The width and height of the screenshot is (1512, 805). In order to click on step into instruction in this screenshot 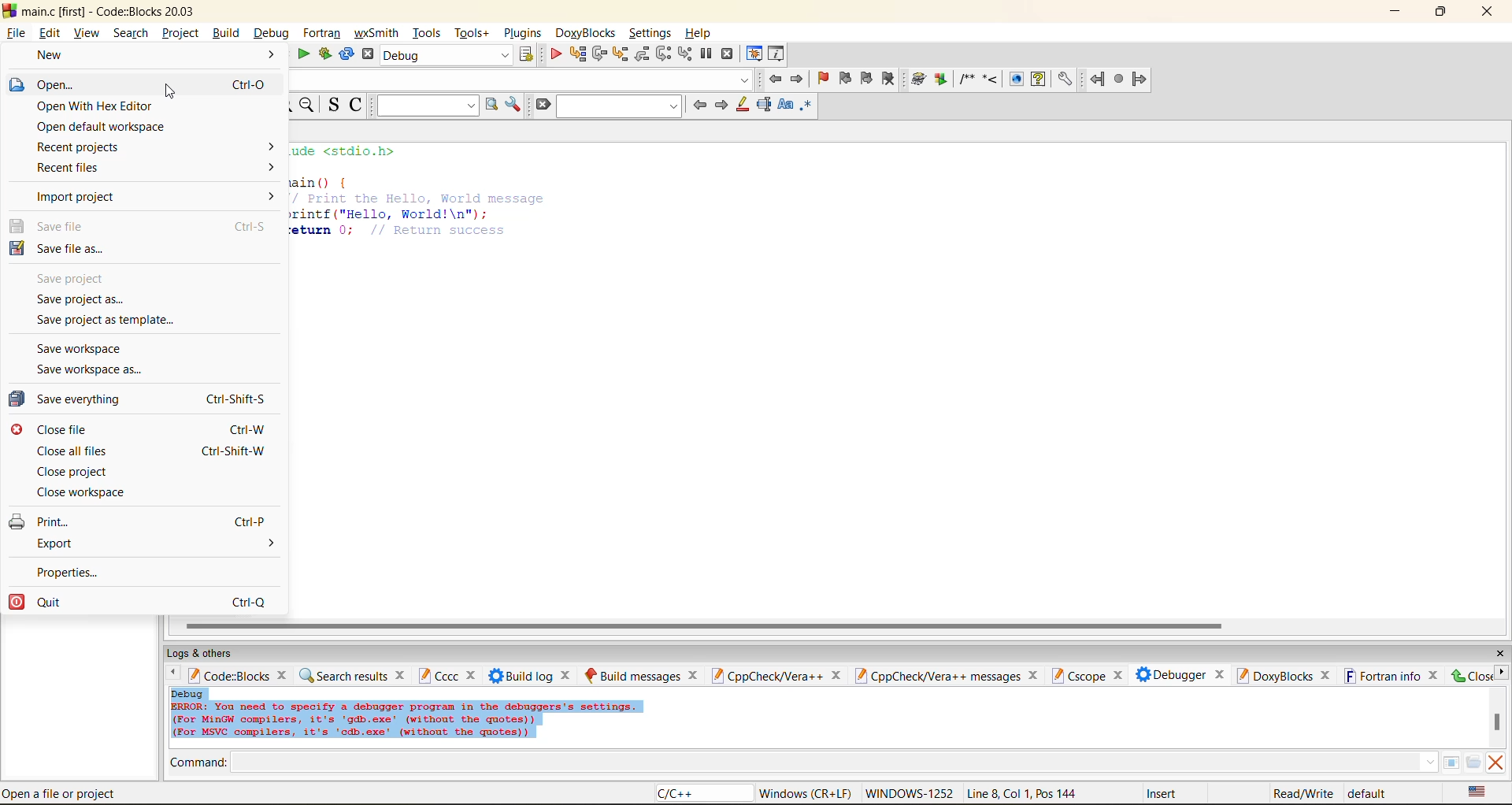, I will do `click(684, 54)`.